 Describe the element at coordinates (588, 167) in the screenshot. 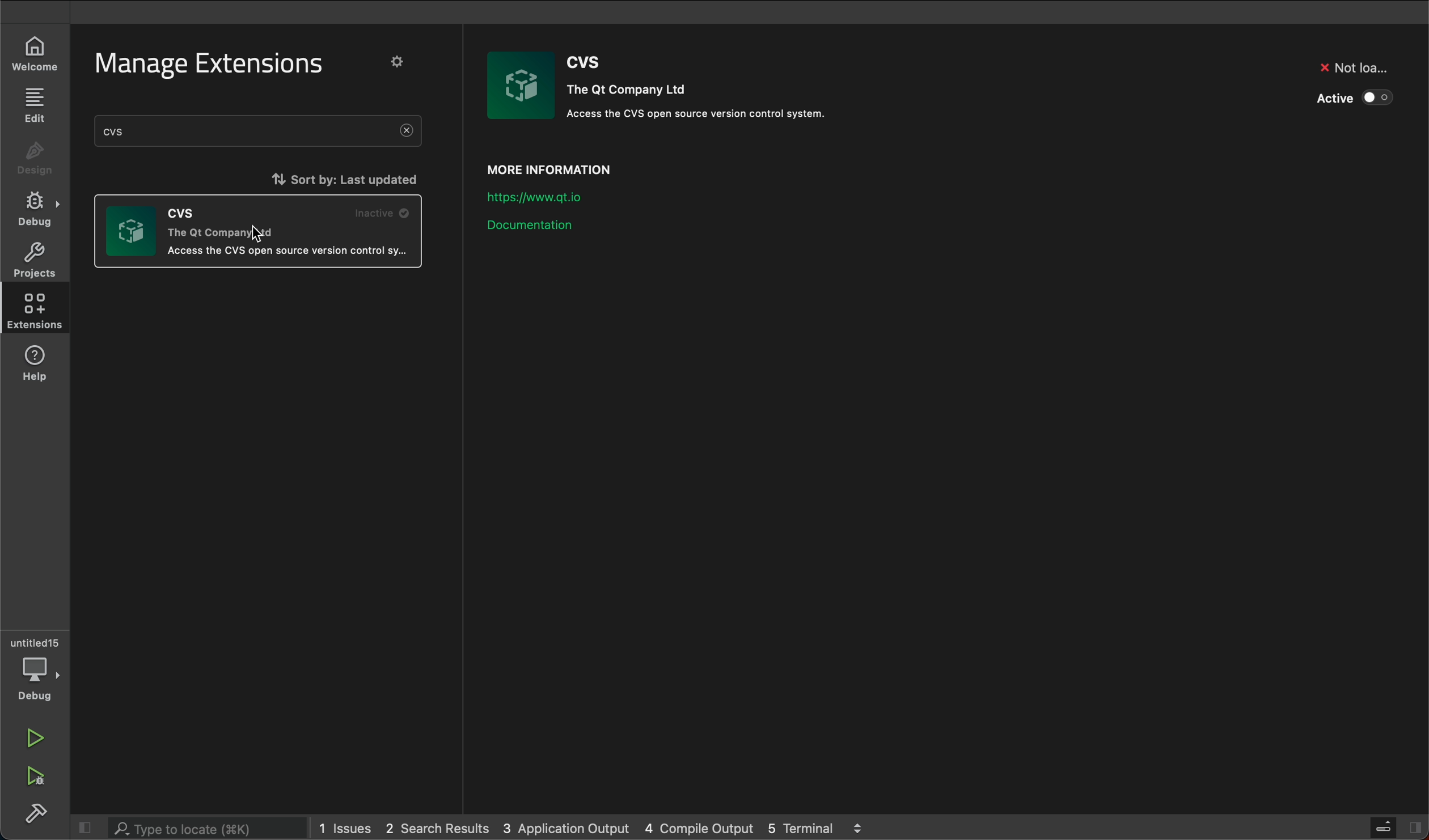

I see `more info` at that location.